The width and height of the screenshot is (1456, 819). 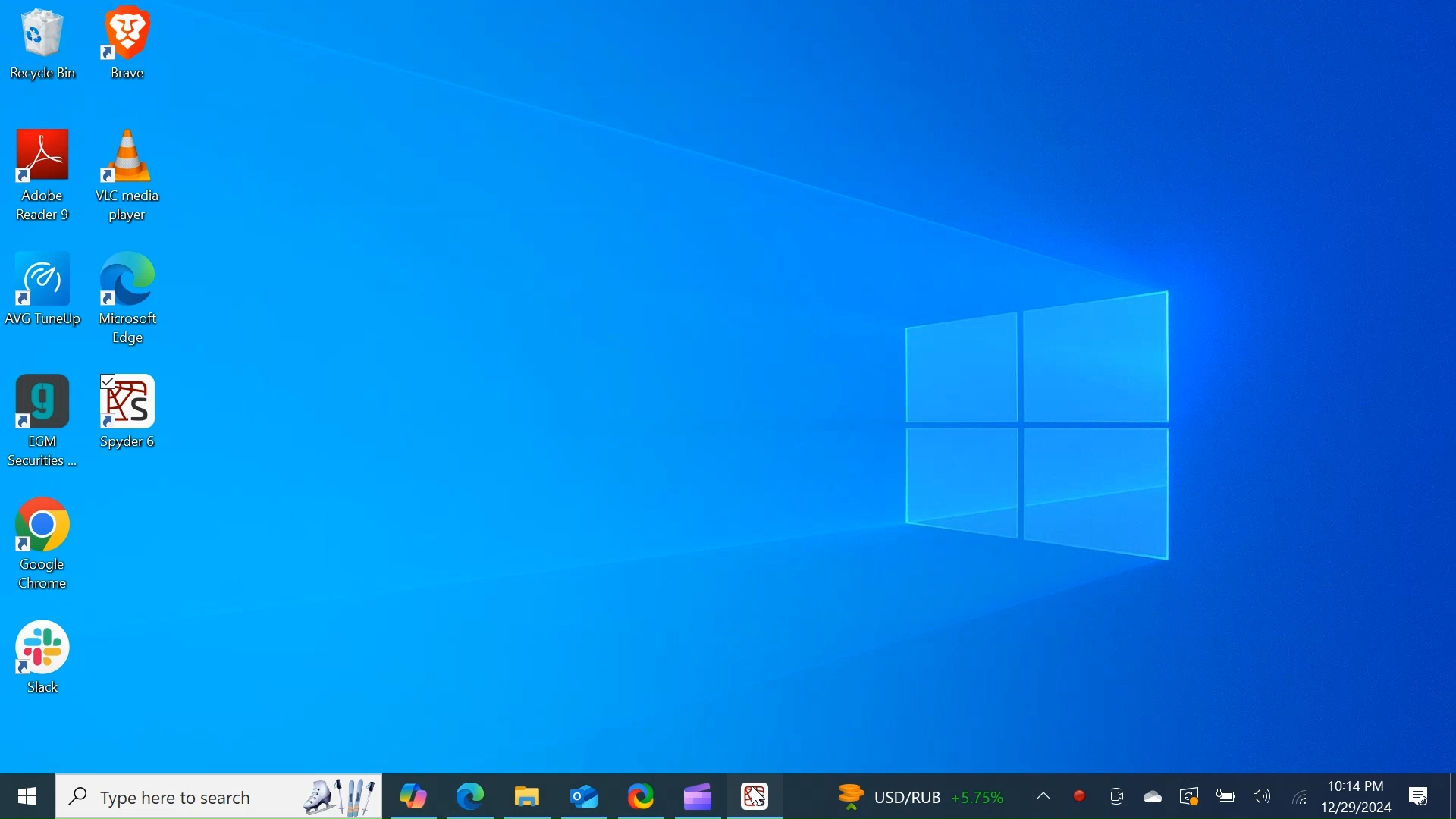 I want to click on AVG TuneUp Desktop Icon, so click(x=47, y=298).